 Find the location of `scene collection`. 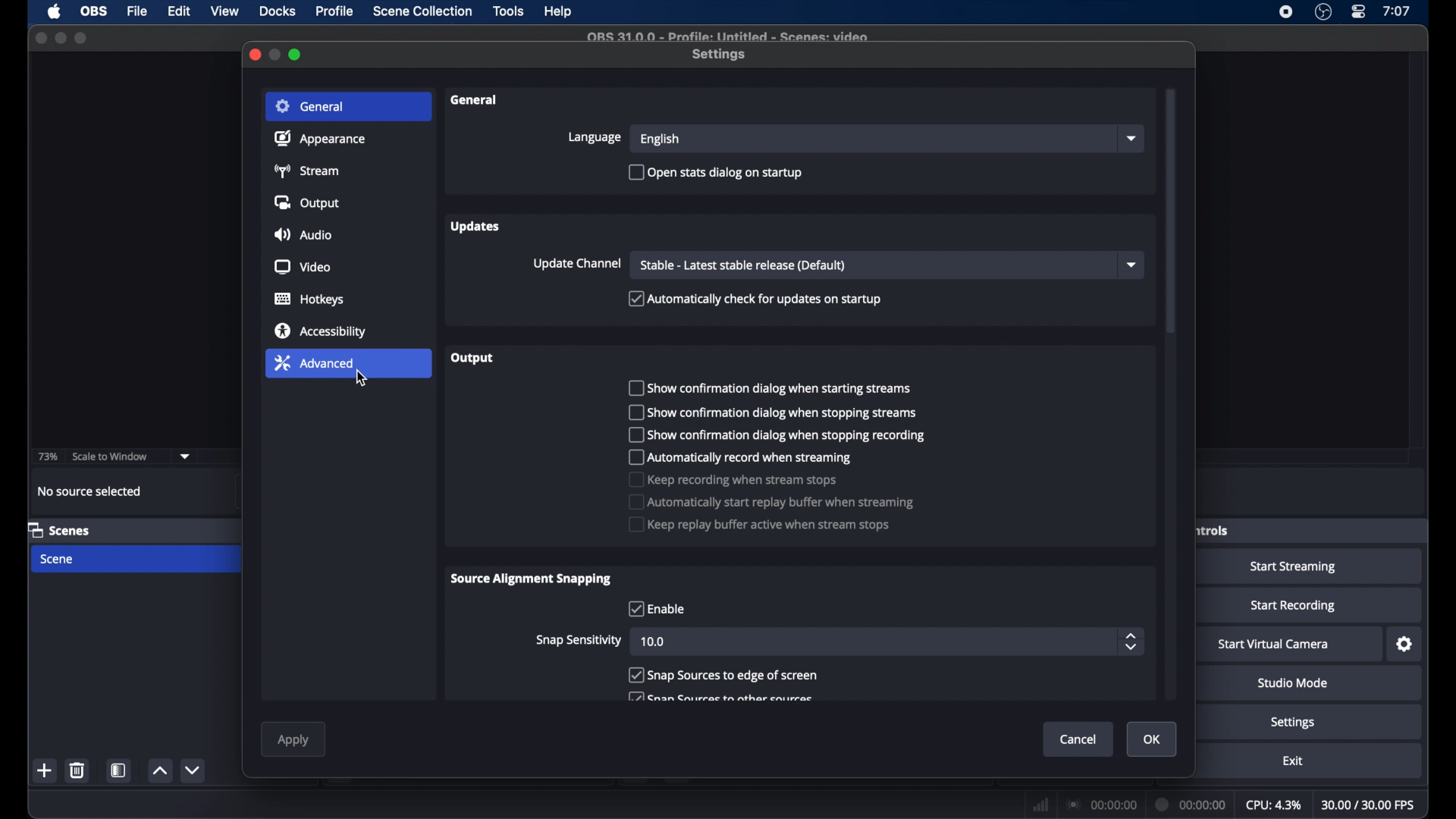

scene collection is located at coordinates (422, 11).